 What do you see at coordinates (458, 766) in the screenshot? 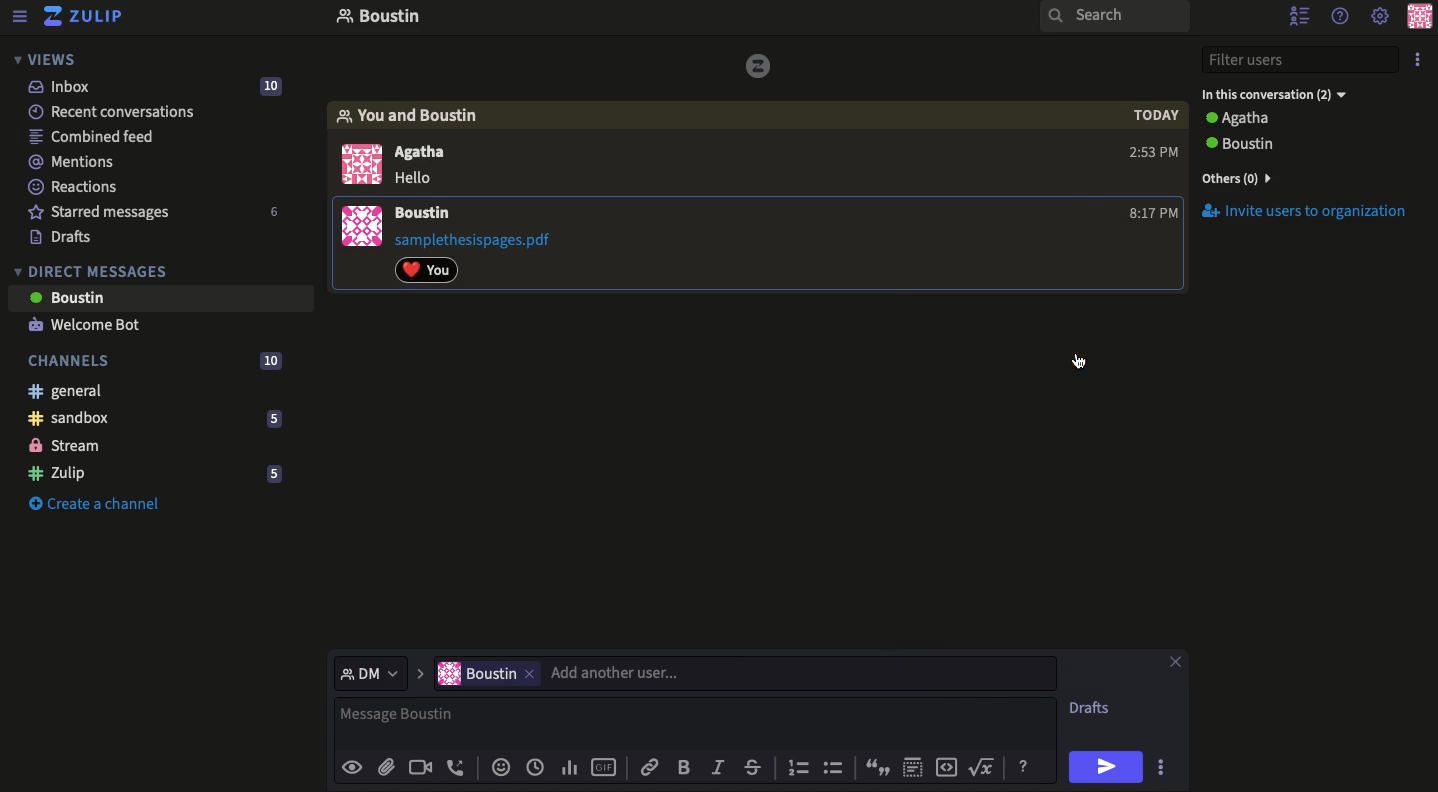
I see `Audio call` at bounding box center [458, 766].